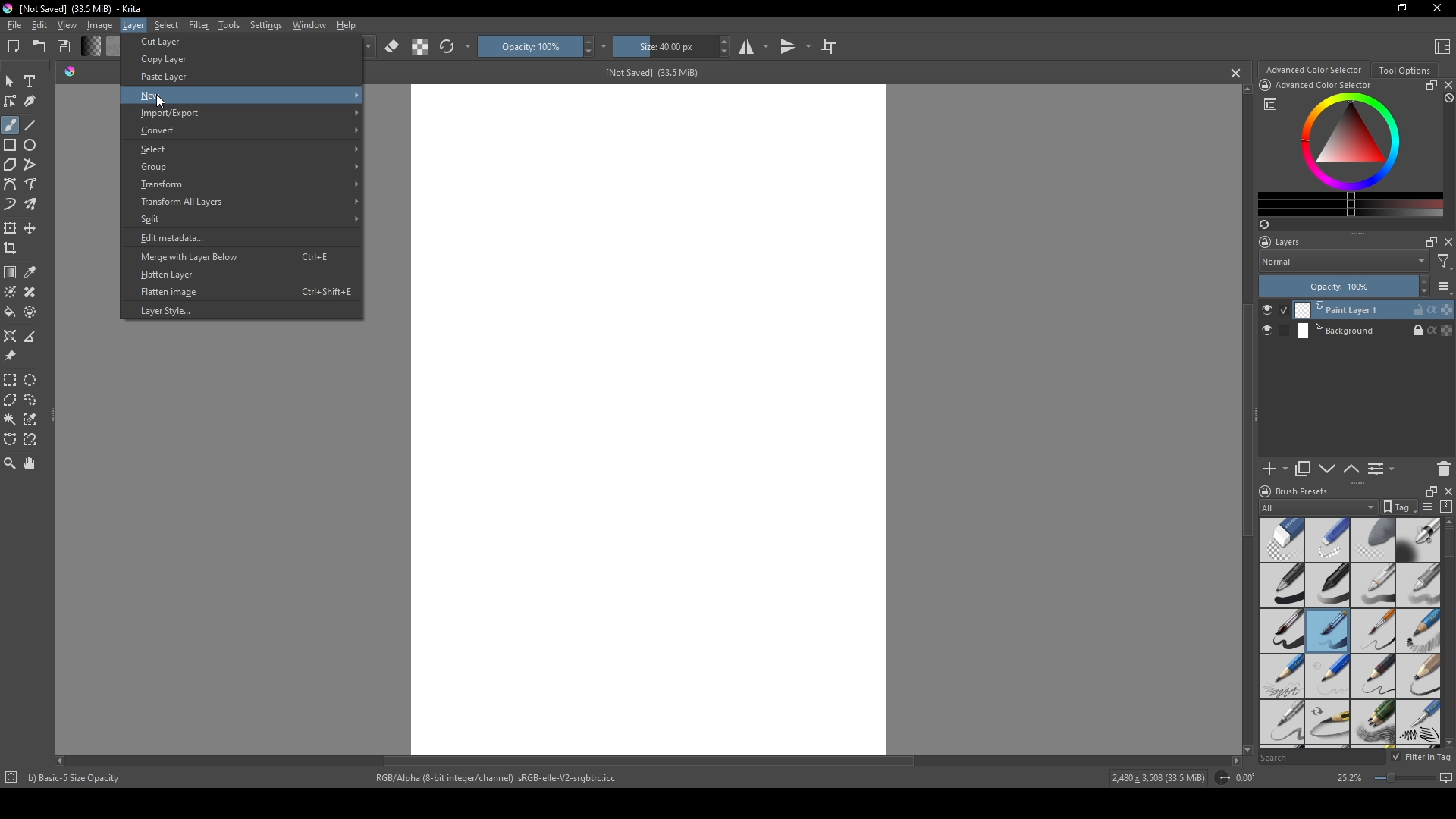 The image size is (1456, 819). I want to click on free hand, so click(32, 185).